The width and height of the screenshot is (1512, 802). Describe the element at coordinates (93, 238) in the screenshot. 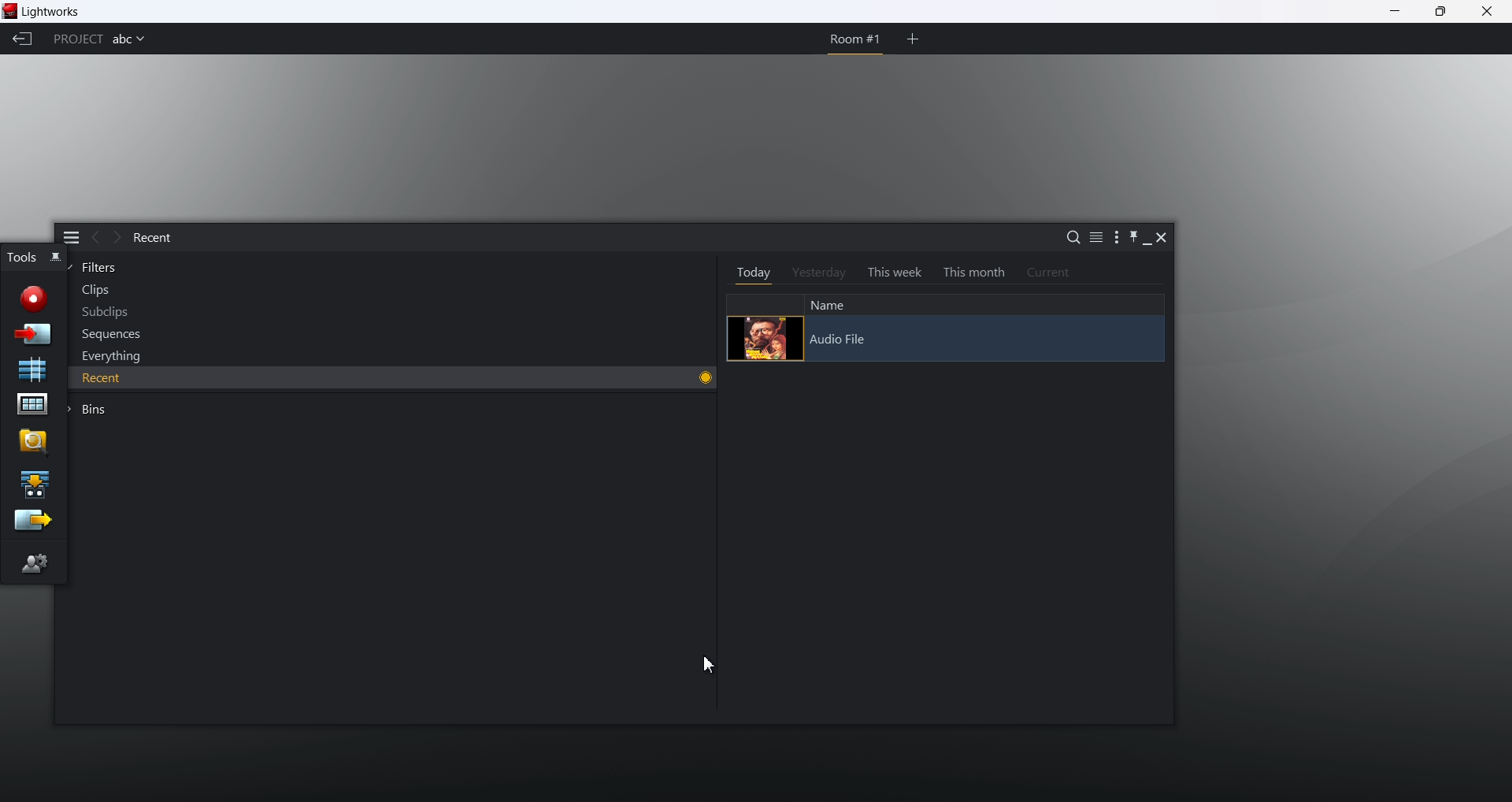

I see `back` at that location.